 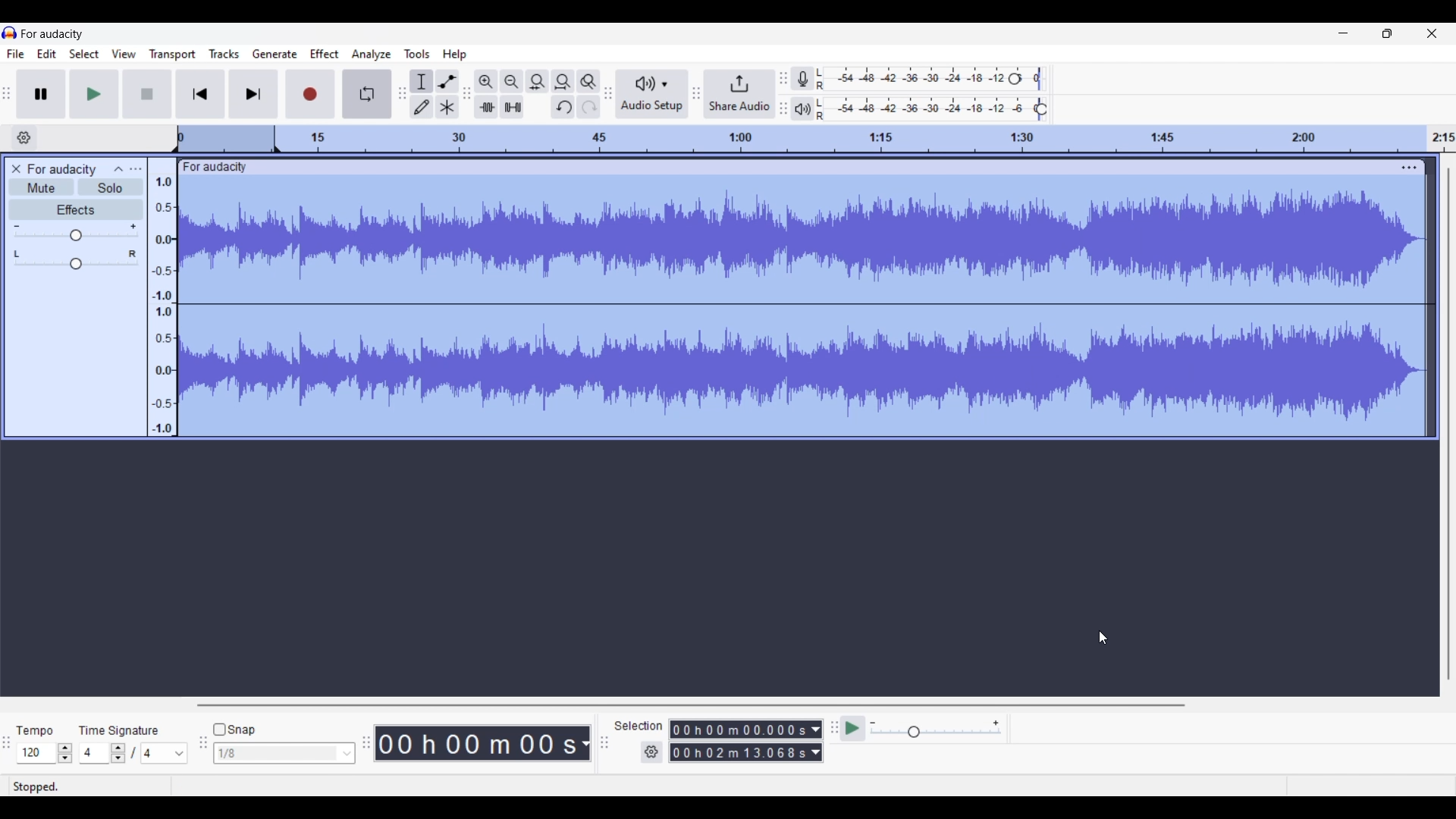 What do you see at coordinates (651, 752) in the screenshot?
I see `Selection settings` at bounding box center [651, 752].